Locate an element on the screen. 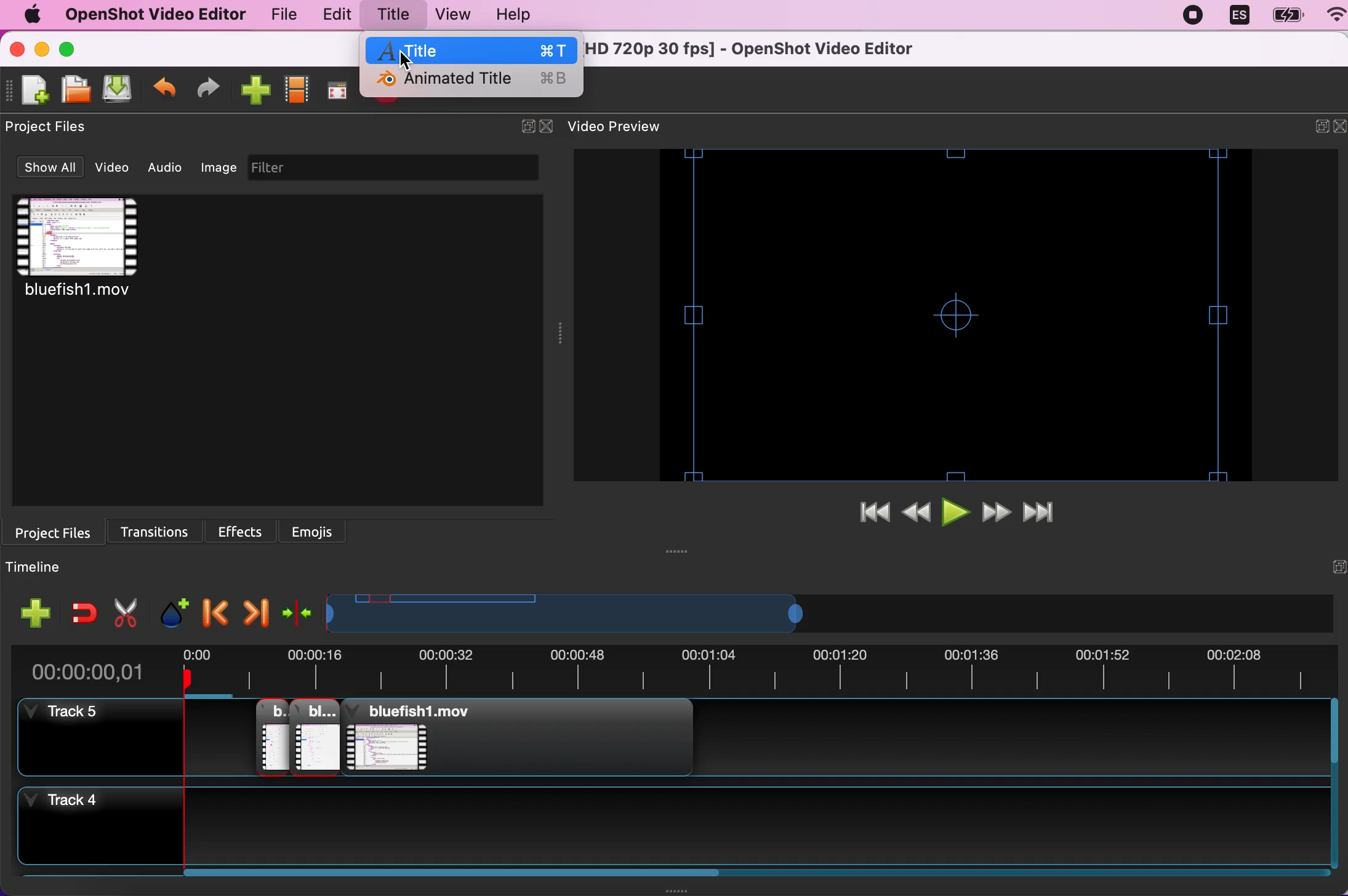 This screenshot has width=1348, height=896. undo is located at coordinates (165, 92).